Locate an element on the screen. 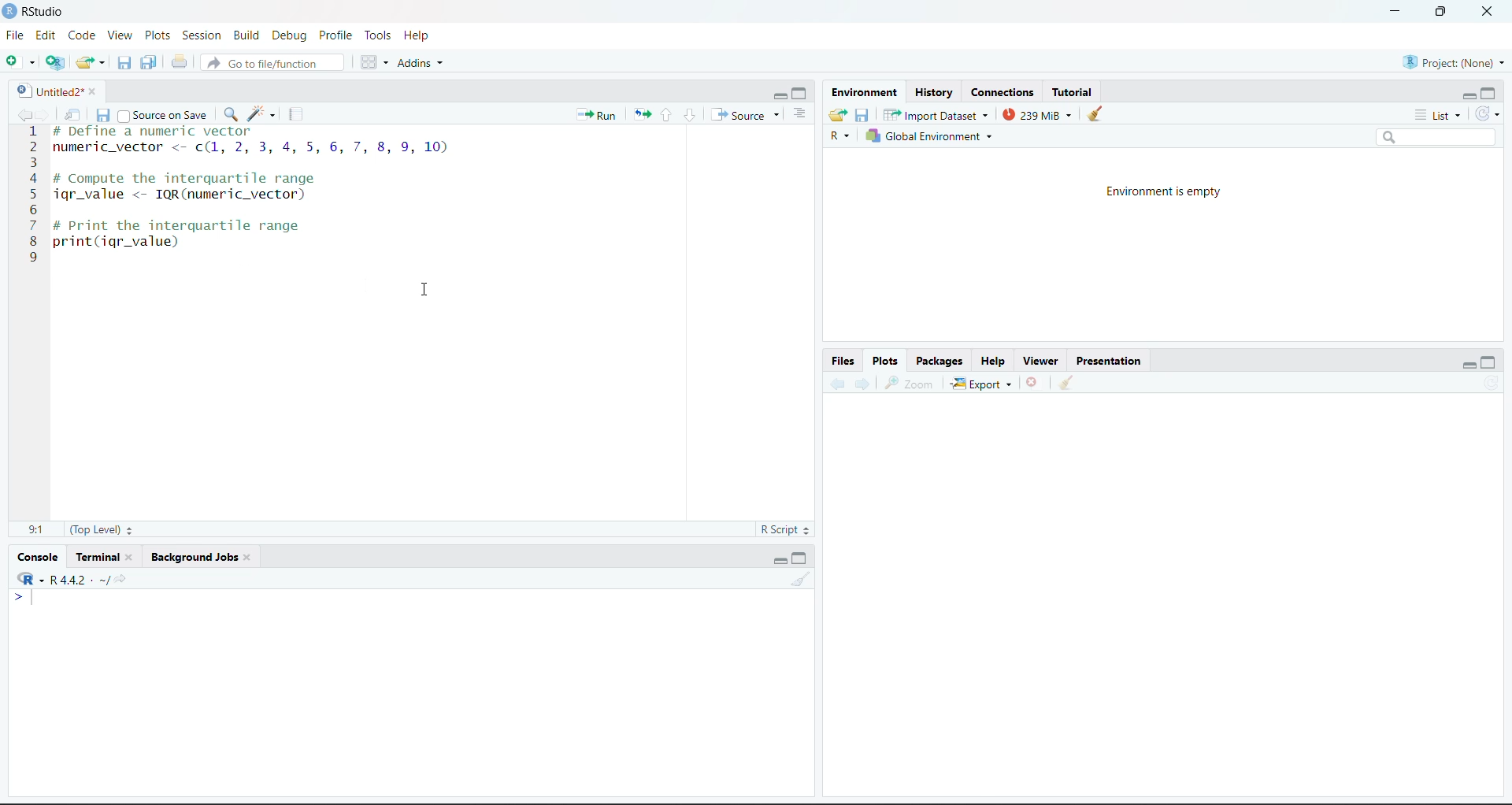 The image size is (1512, 805). Help is located at coordinates (424, 36).